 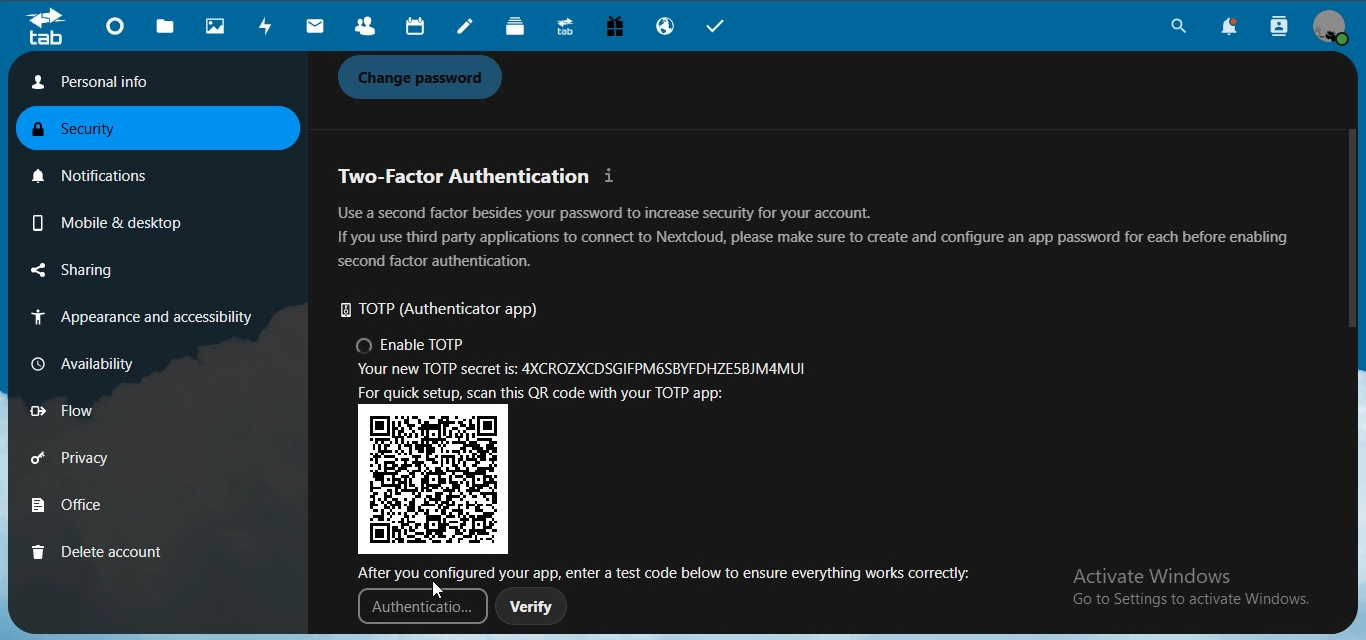 I want to click on upgrade, so click(x=568, y=29).